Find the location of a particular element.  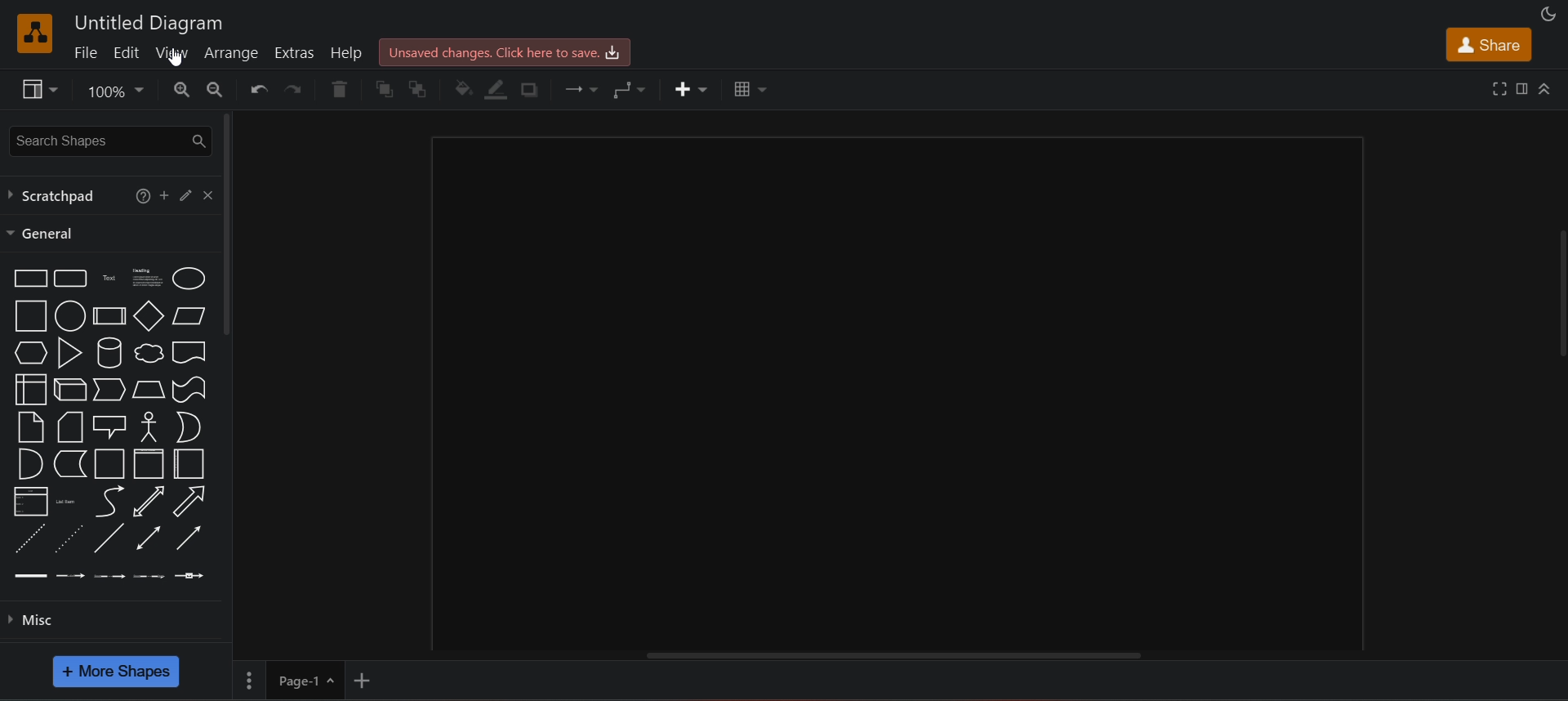

search shapes is located at coordinates (107, 139).